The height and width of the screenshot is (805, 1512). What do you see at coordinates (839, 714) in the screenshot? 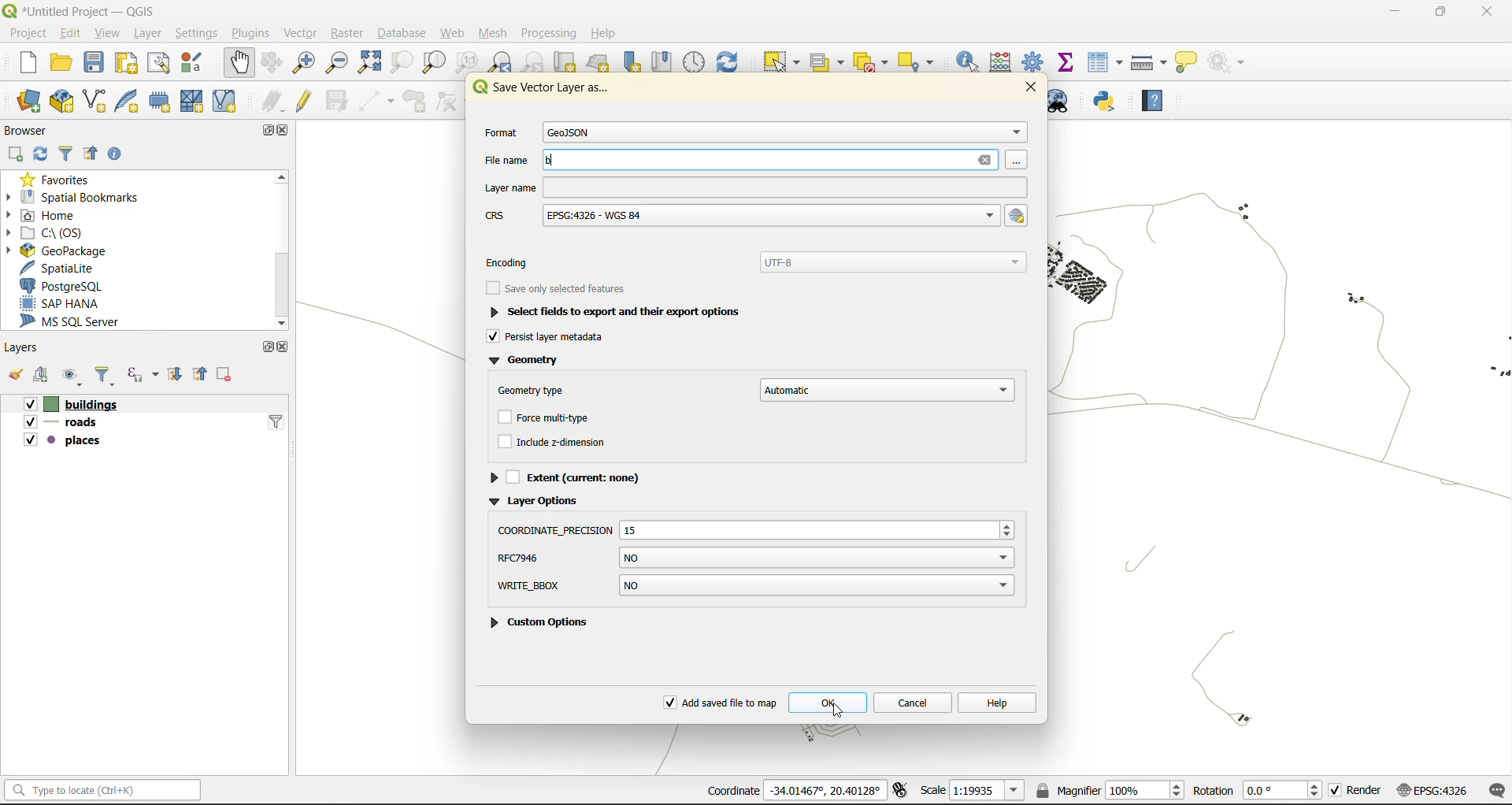
I see `cursor` at bounding box center [839, 714].